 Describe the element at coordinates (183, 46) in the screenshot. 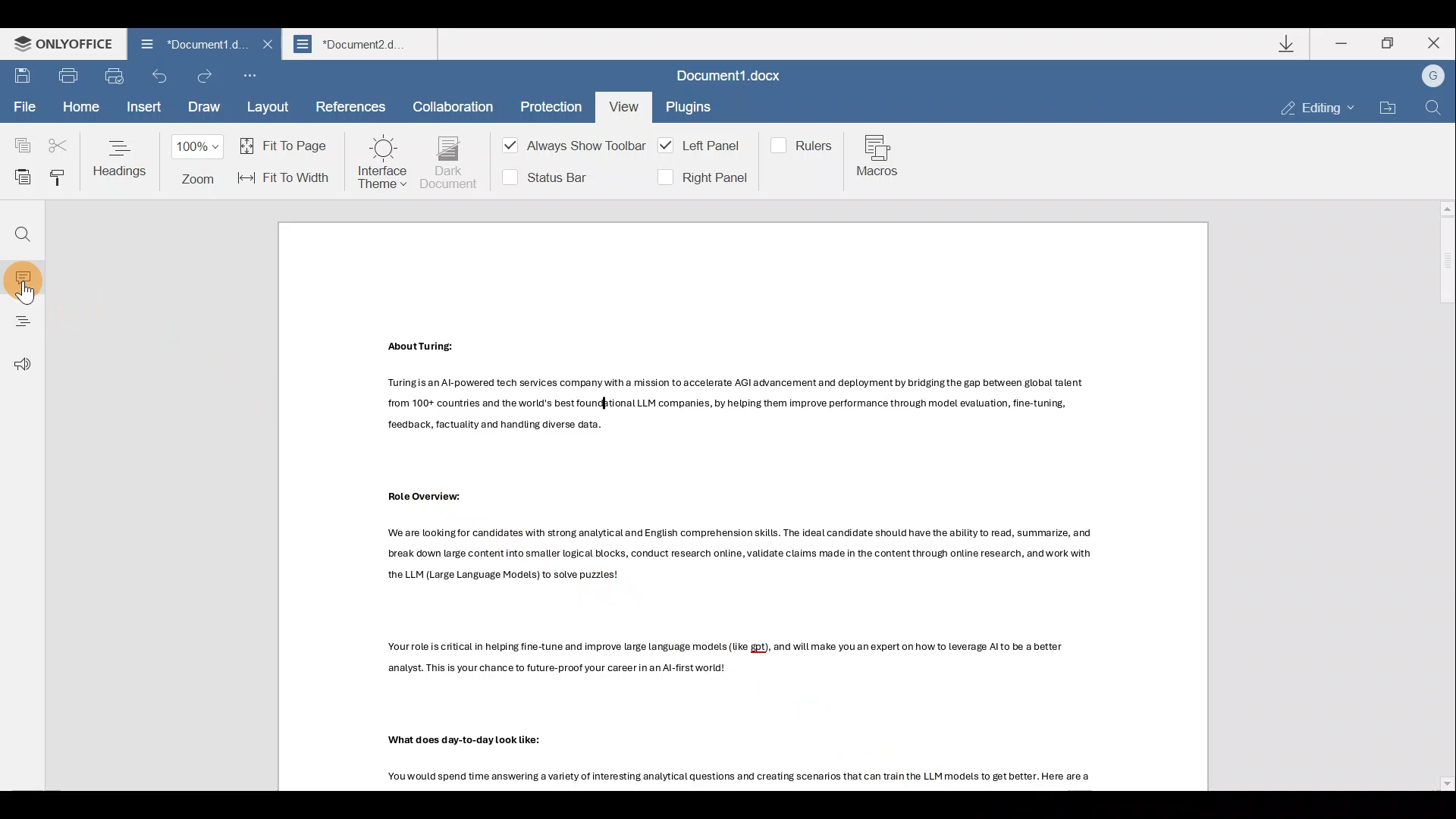

I see `Document1.d..` at that location.